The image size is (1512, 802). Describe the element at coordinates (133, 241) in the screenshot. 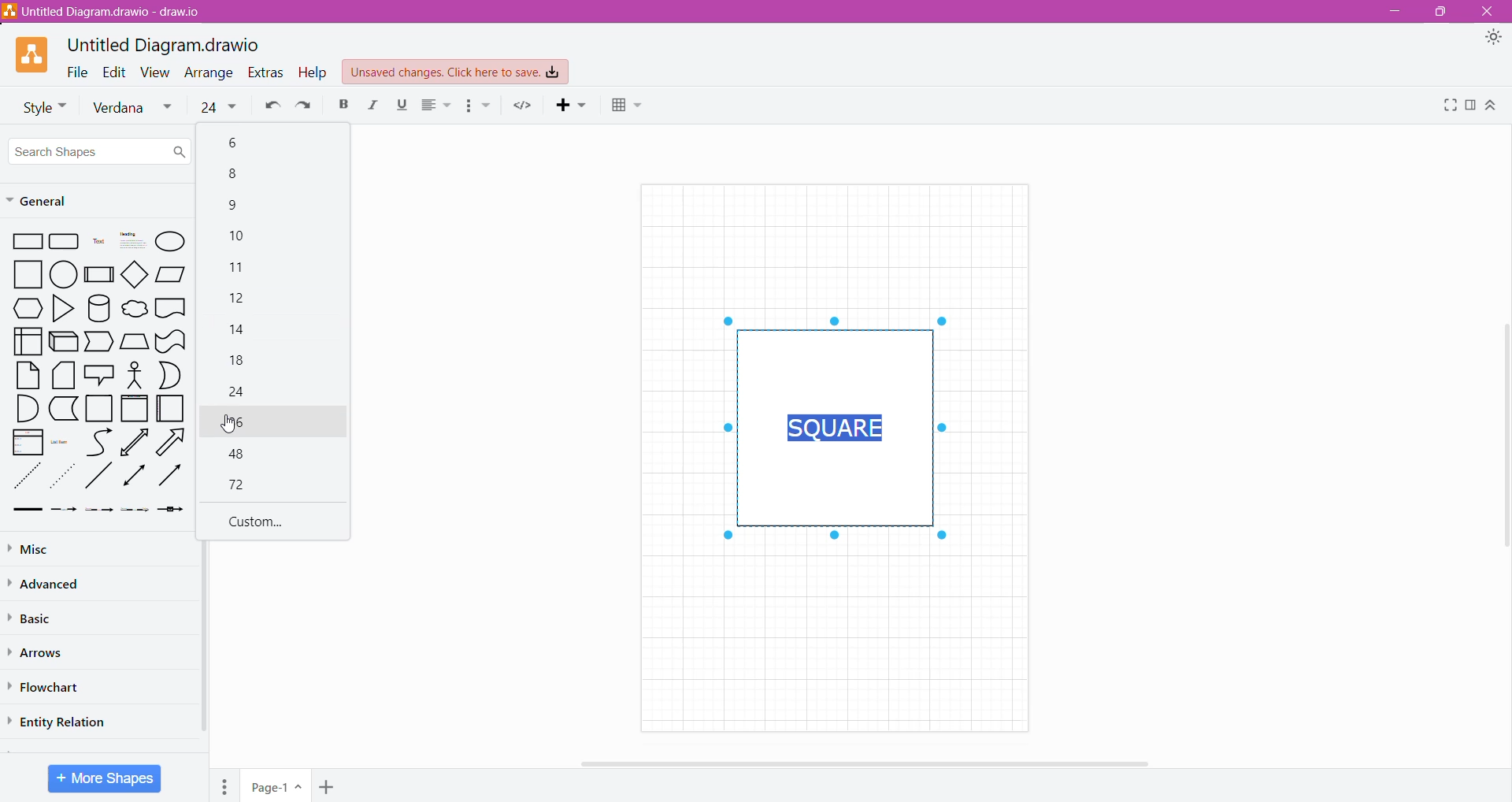

I see `heading` at that location.